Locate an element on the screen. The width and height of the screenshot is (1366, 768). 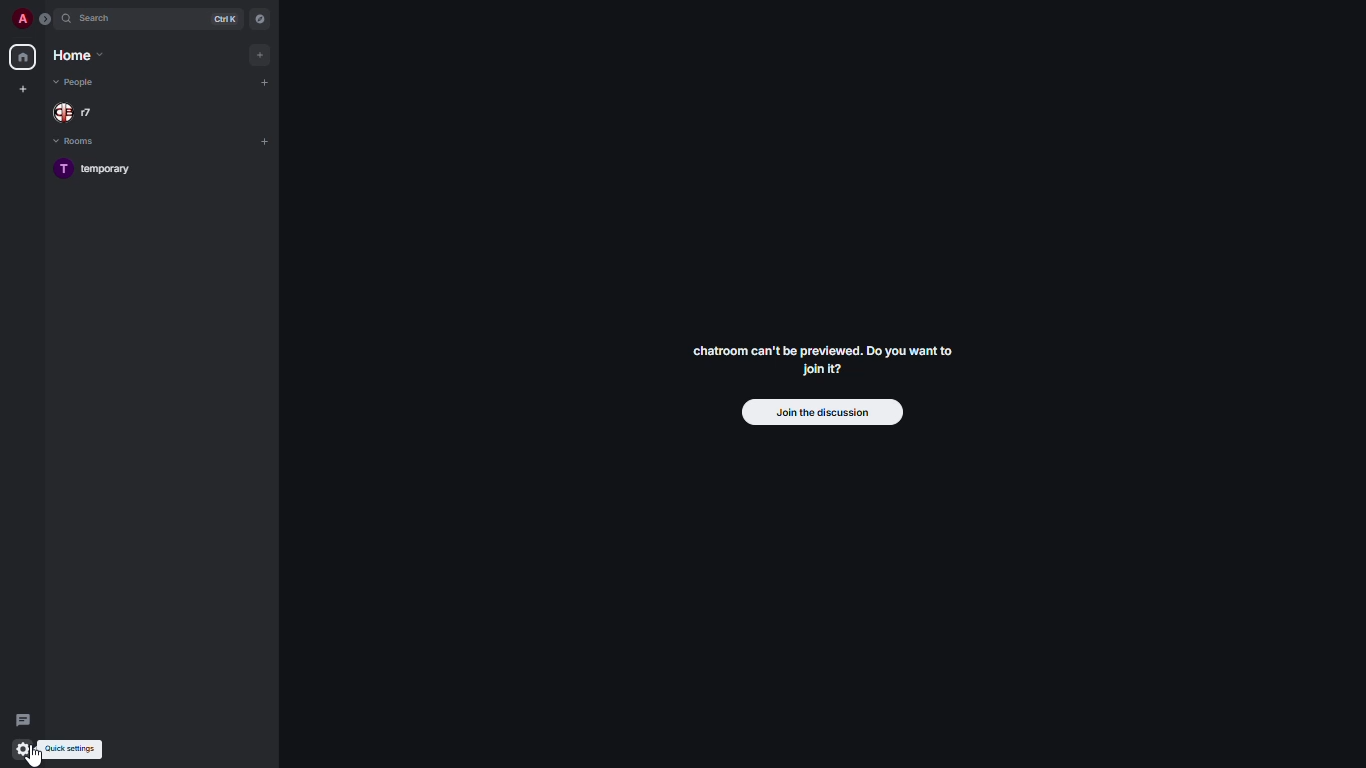
search is located at coordinates (100, 20).